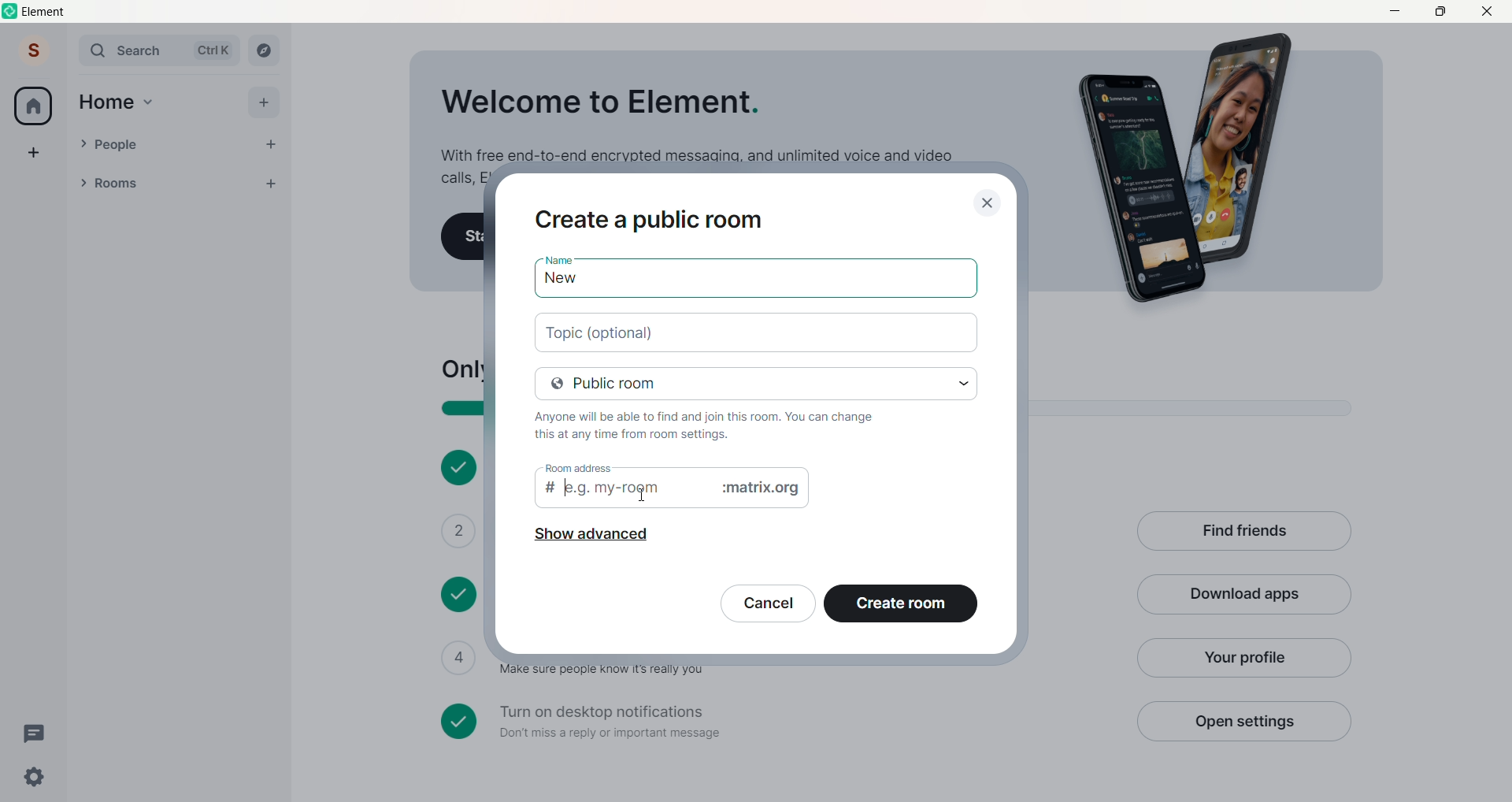 The height and width of the screenshot is (802, 1512). What do you see at coordinates (988, 200) in the screenshot?
I see `close` at bounding box center [988, 200].